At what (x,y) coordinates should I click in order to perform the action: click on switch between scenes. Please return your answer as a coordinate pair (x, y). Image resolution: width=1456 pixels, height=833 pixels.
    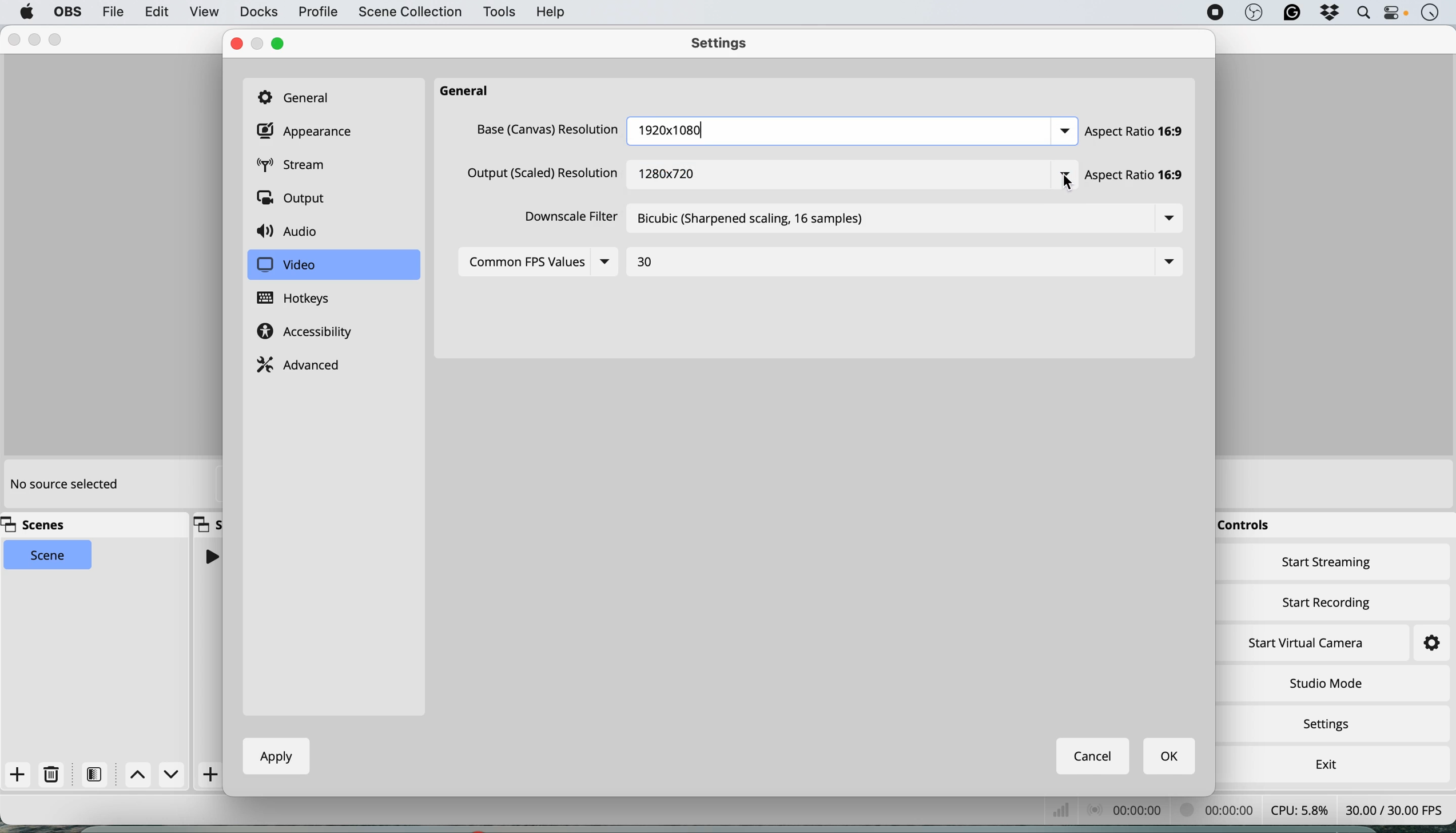
    Looking at the image, I should click on (156, 775).